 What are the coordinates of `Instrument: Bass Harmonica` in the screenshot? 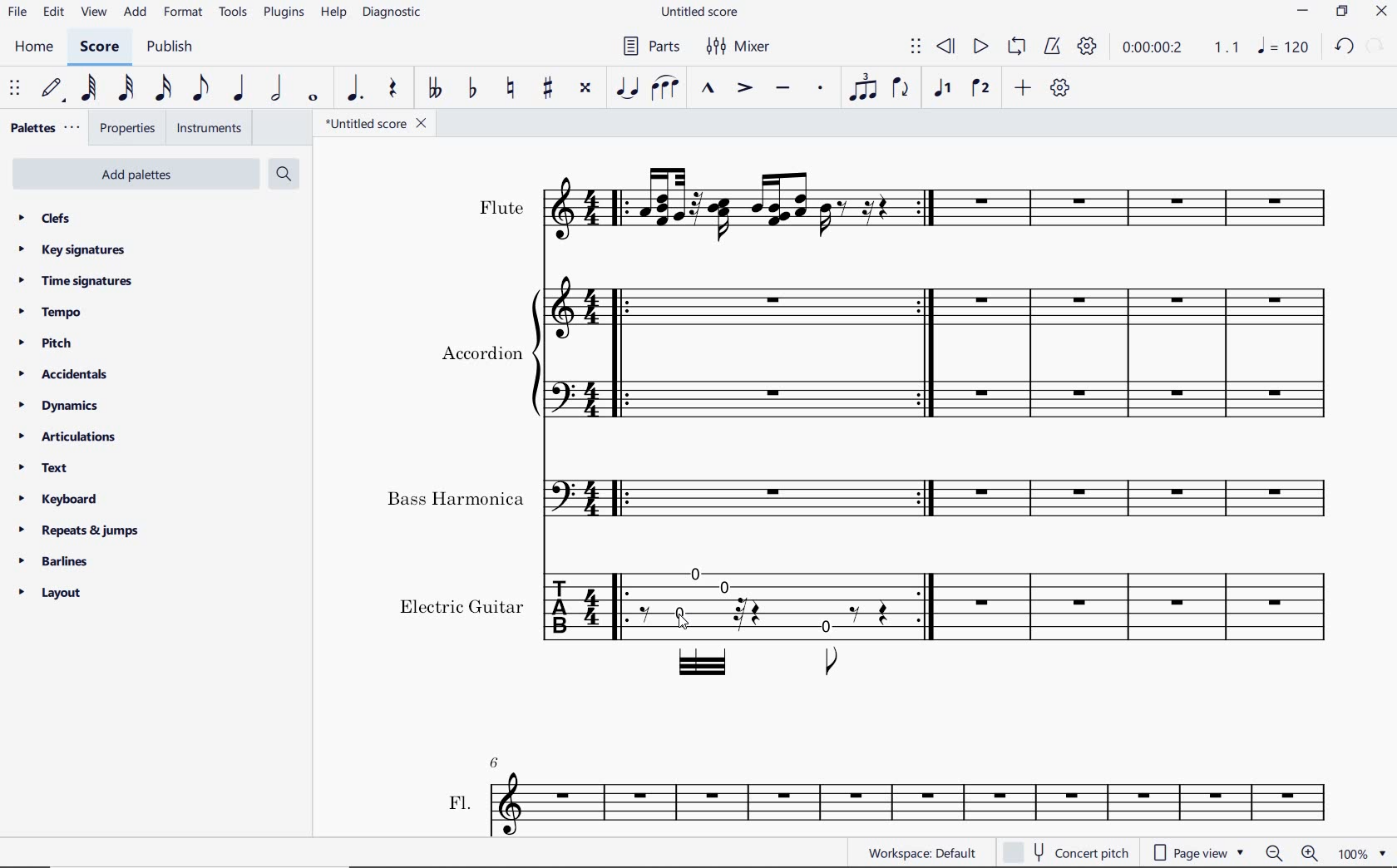 It's located at (863, 498).